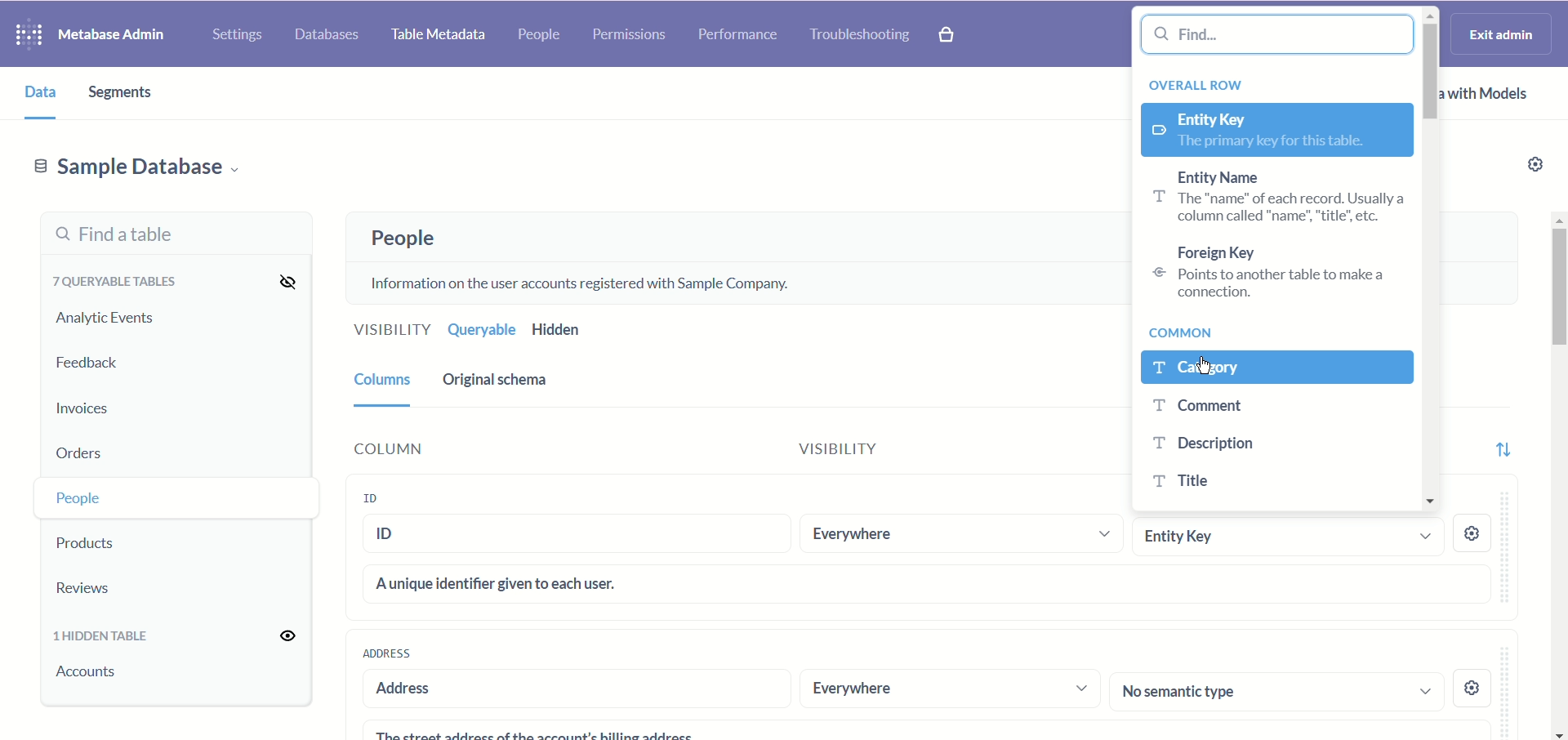  I want to click on Vertical scroll bar, so click(1558, 478).